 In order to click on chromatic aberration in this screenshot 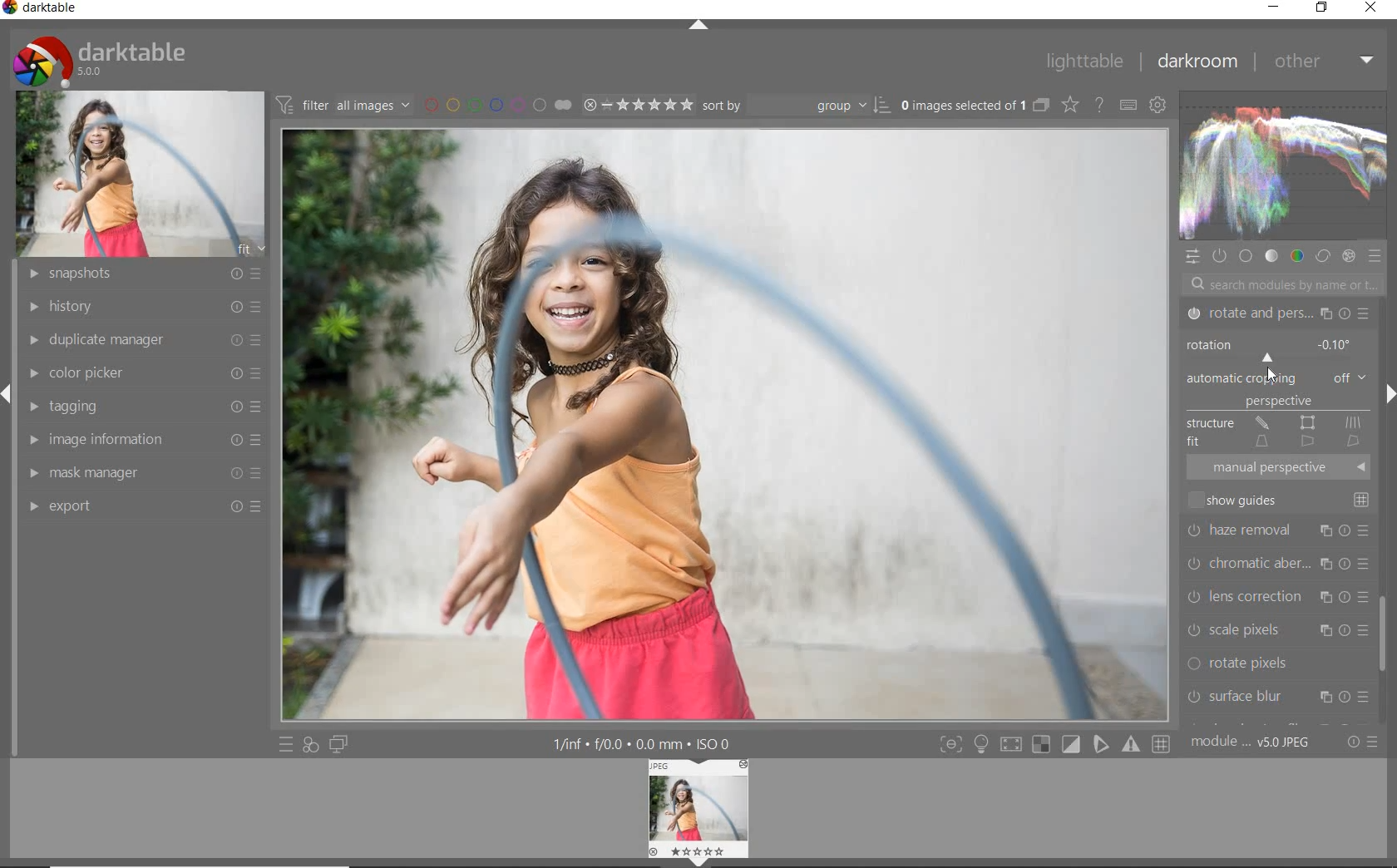, I will do `click(1277, 562)`.